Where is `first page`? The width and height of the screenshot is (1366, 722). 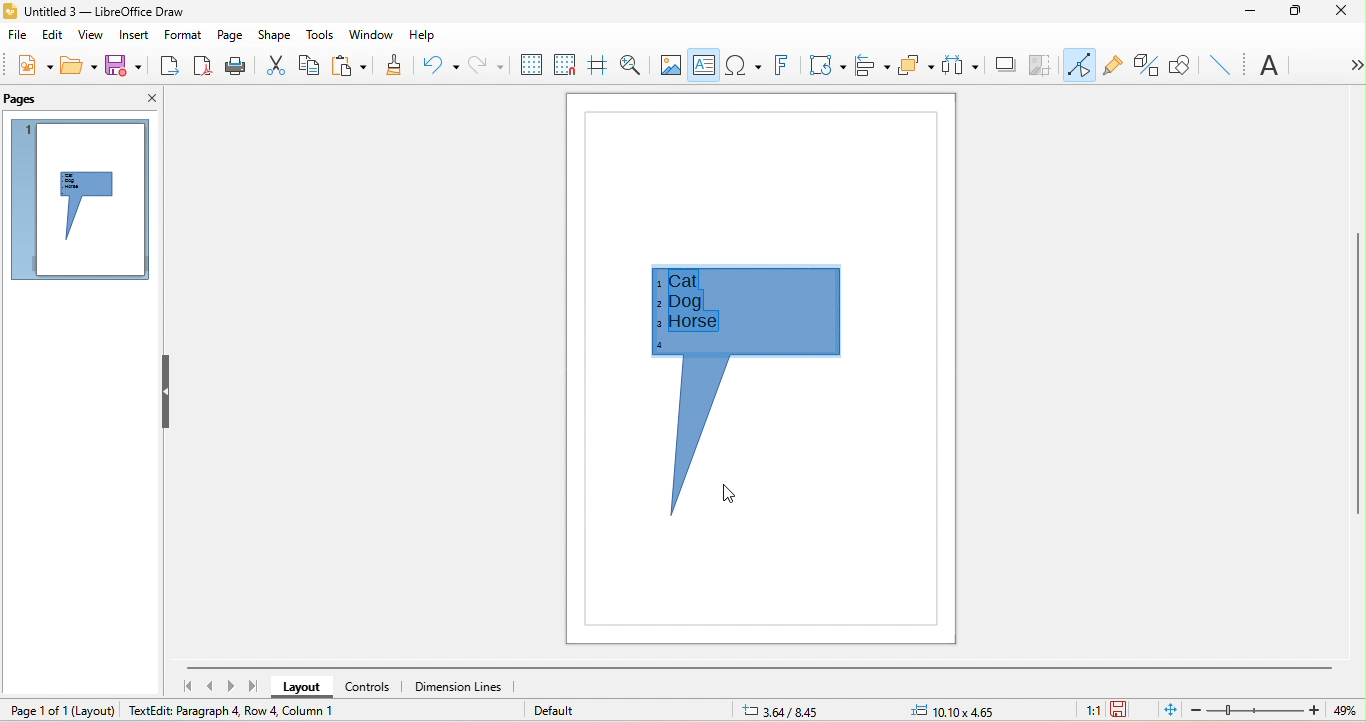
first page is located at coordinates (190, 686).